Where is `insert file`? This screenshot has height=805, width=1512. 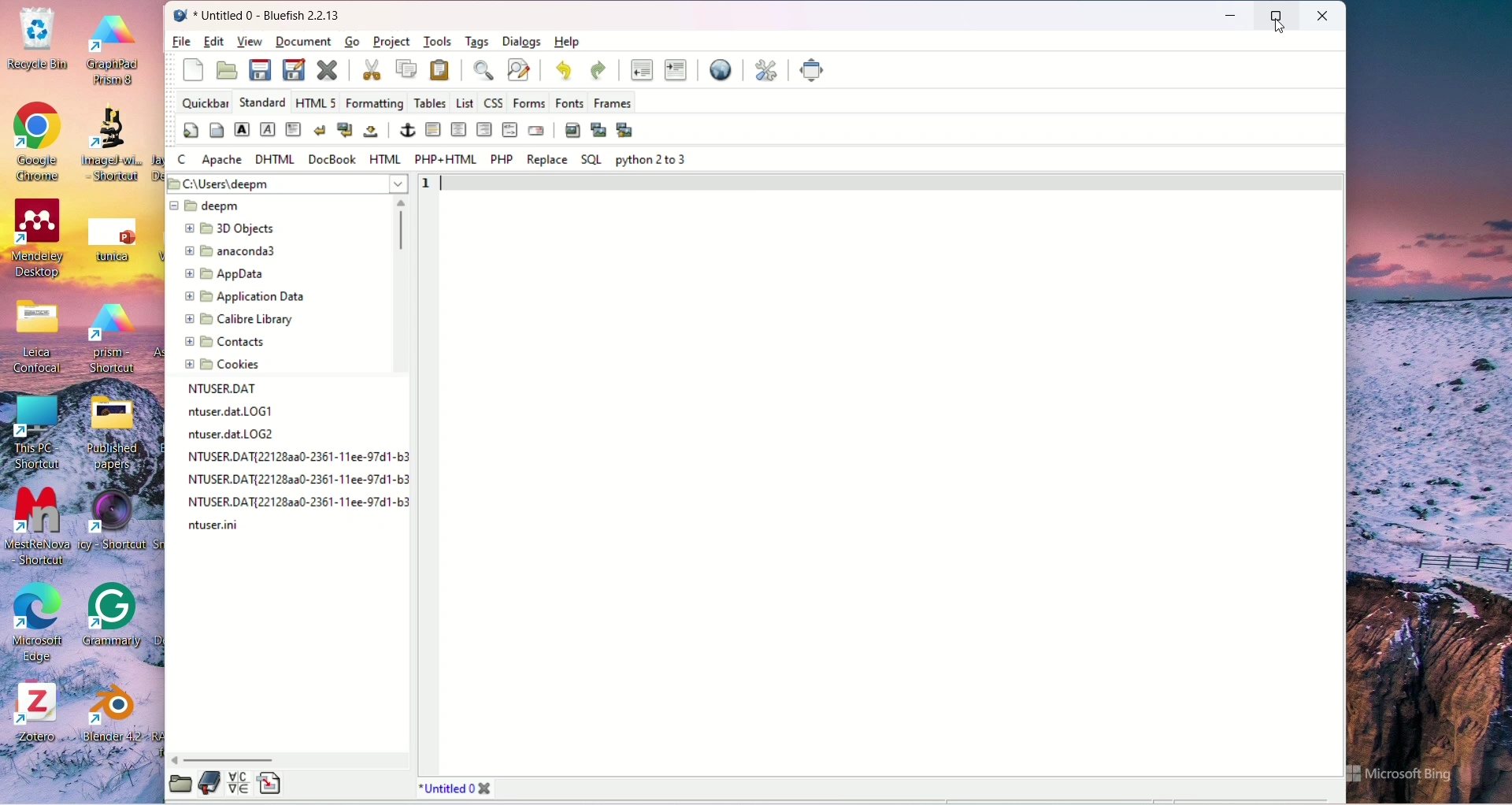 insert file is located at coordinates (268, 785).